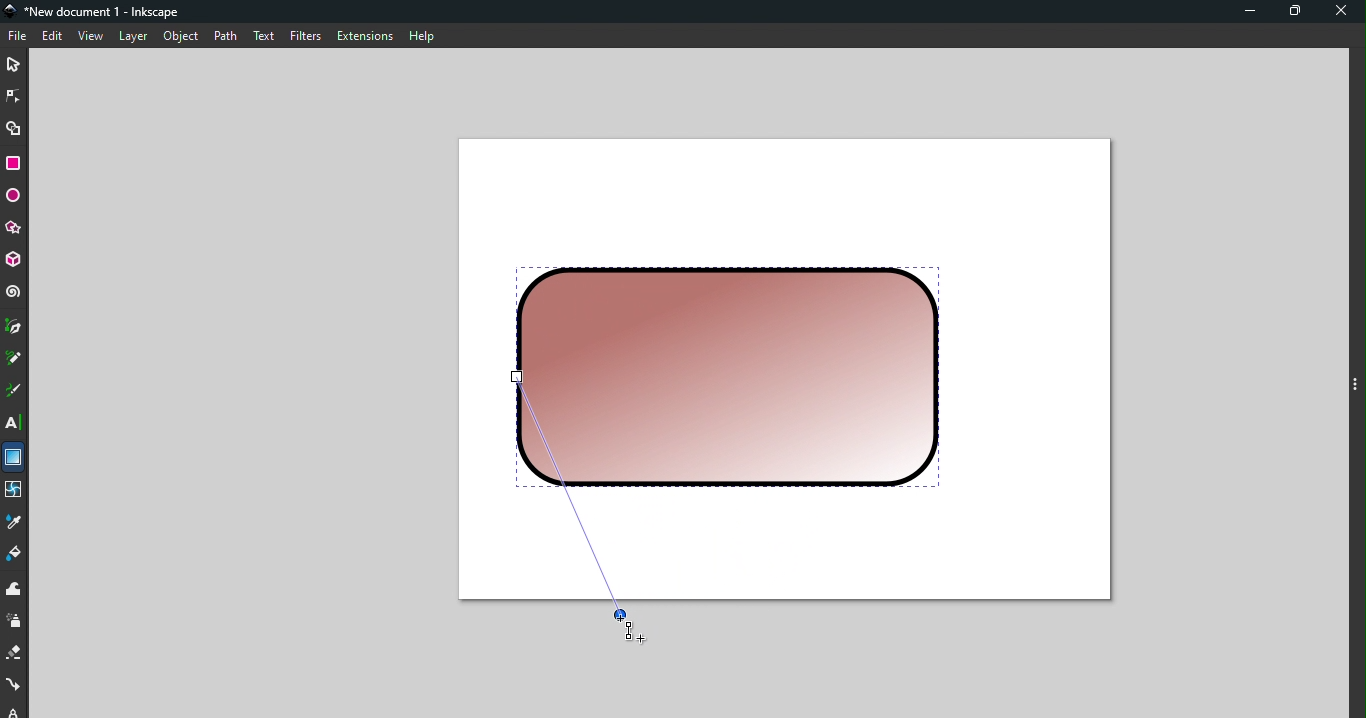 The width and height of the screenshot is (1366, 718). I want to click on Eraser tool, so click(15, 654).